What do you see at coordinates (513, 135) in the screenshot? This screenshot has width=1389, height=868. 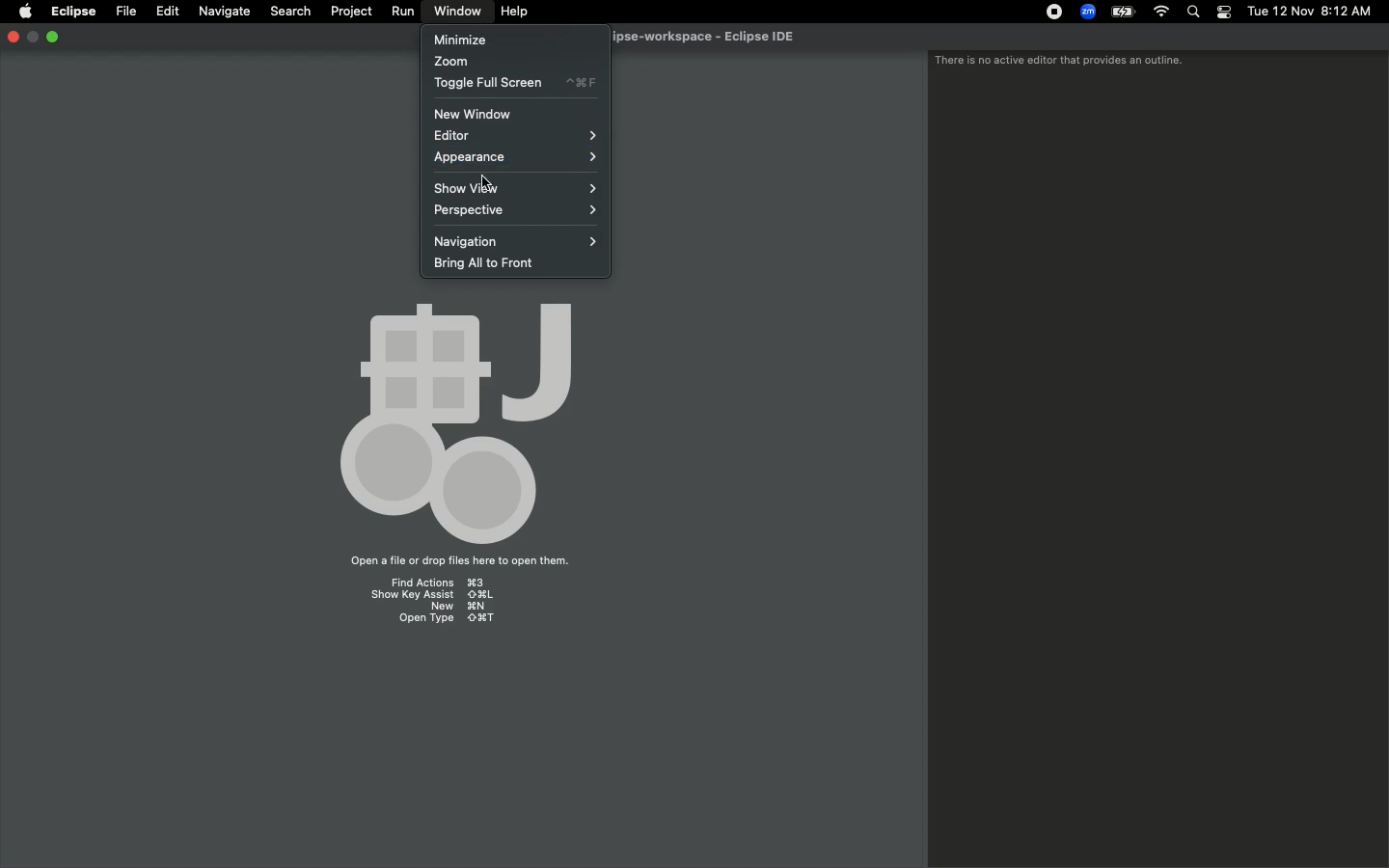 I see `Editor` at bounding box center [513, 135].